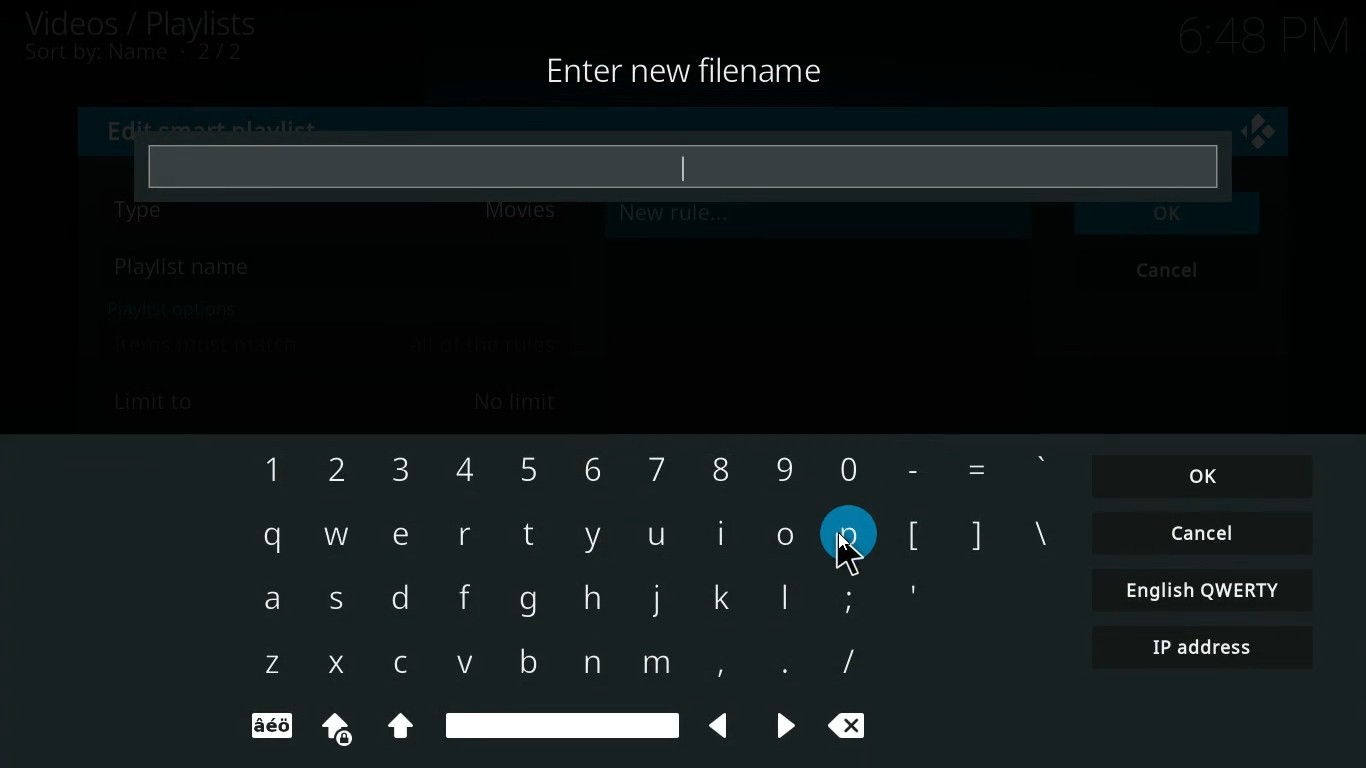  I want to click on backward, so click(712, 726).